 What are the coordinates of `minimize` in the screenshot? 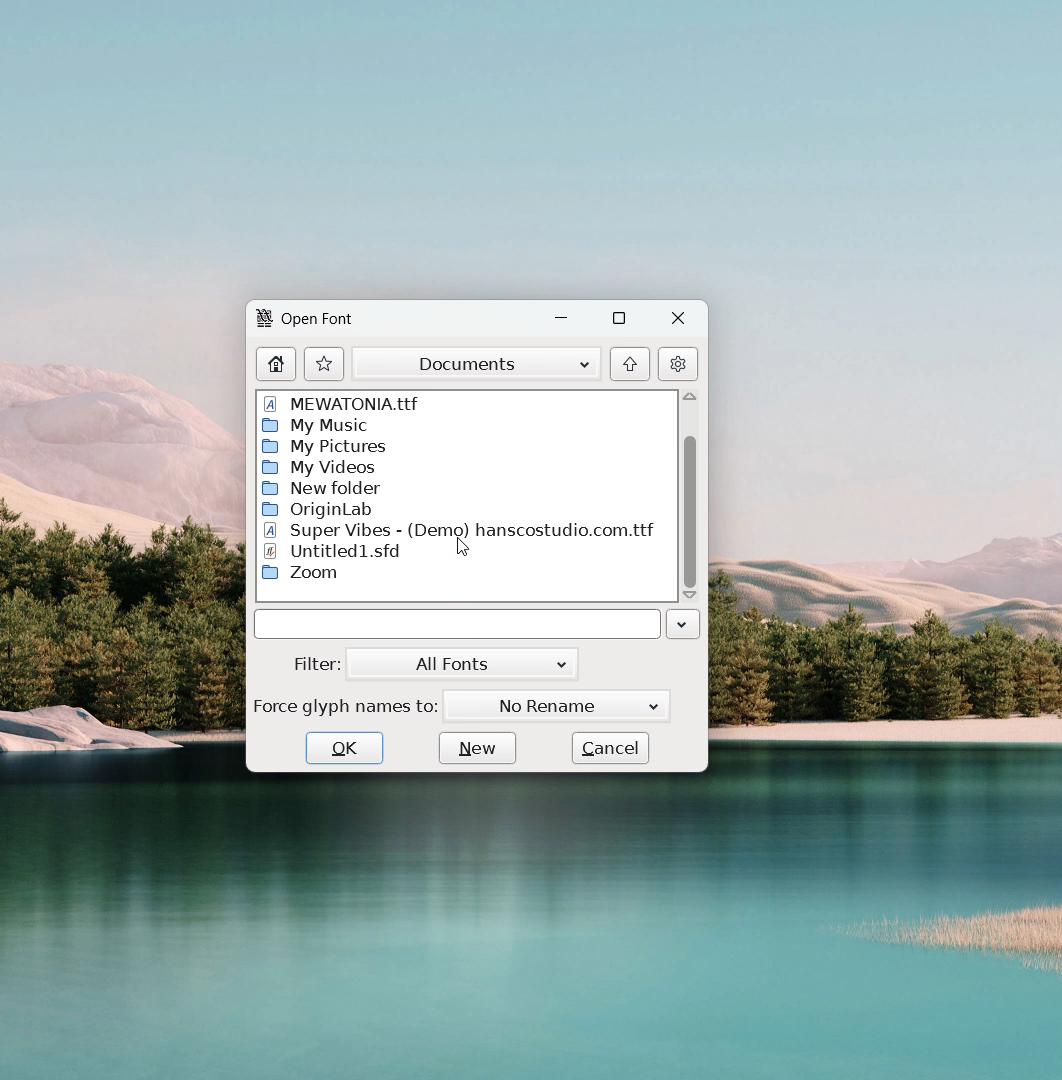 It's located at (562, 318).